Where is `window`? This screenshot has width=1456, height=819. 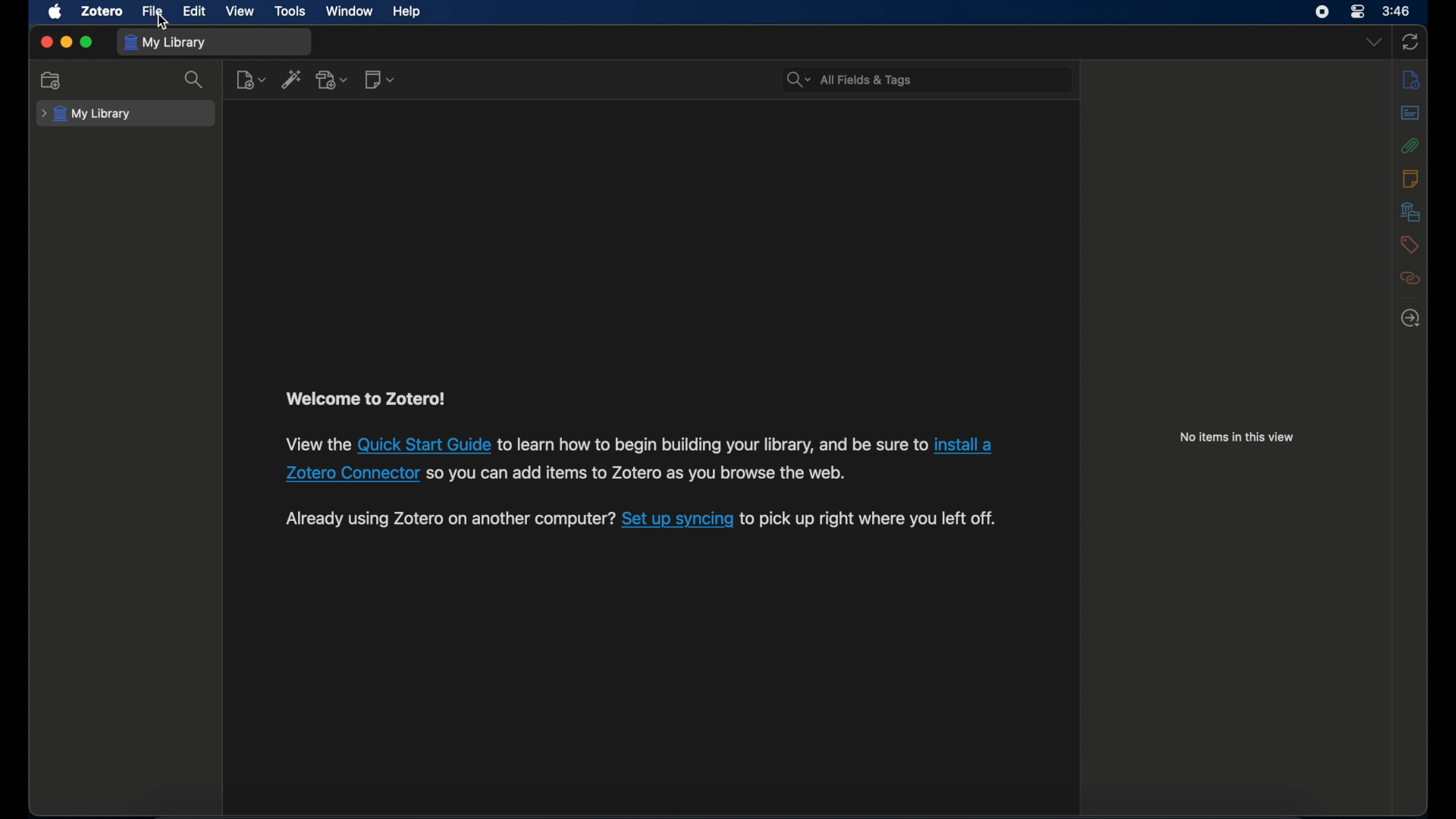
window is located at coordinates (350, 11).